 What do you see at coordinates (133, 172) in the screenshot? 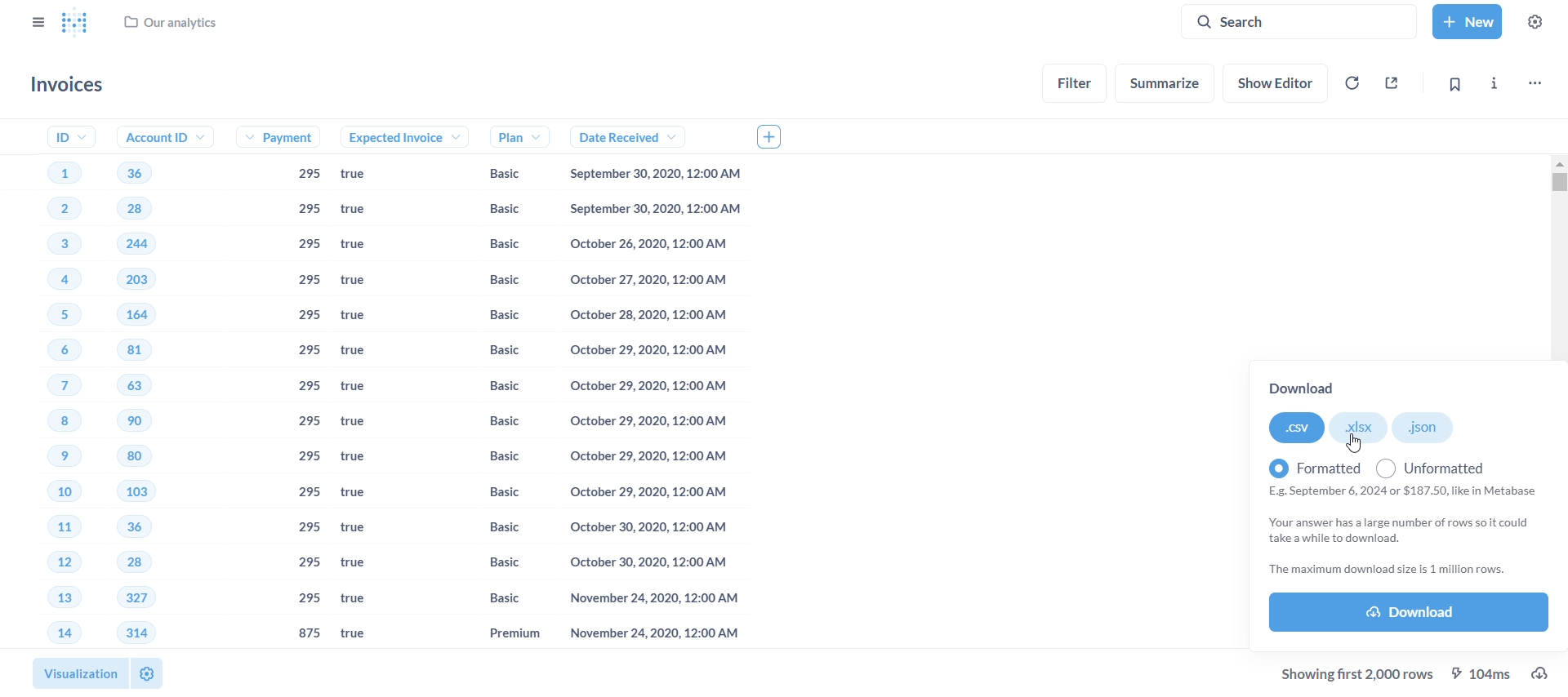
I see `36` at bounding box center [133, 172].